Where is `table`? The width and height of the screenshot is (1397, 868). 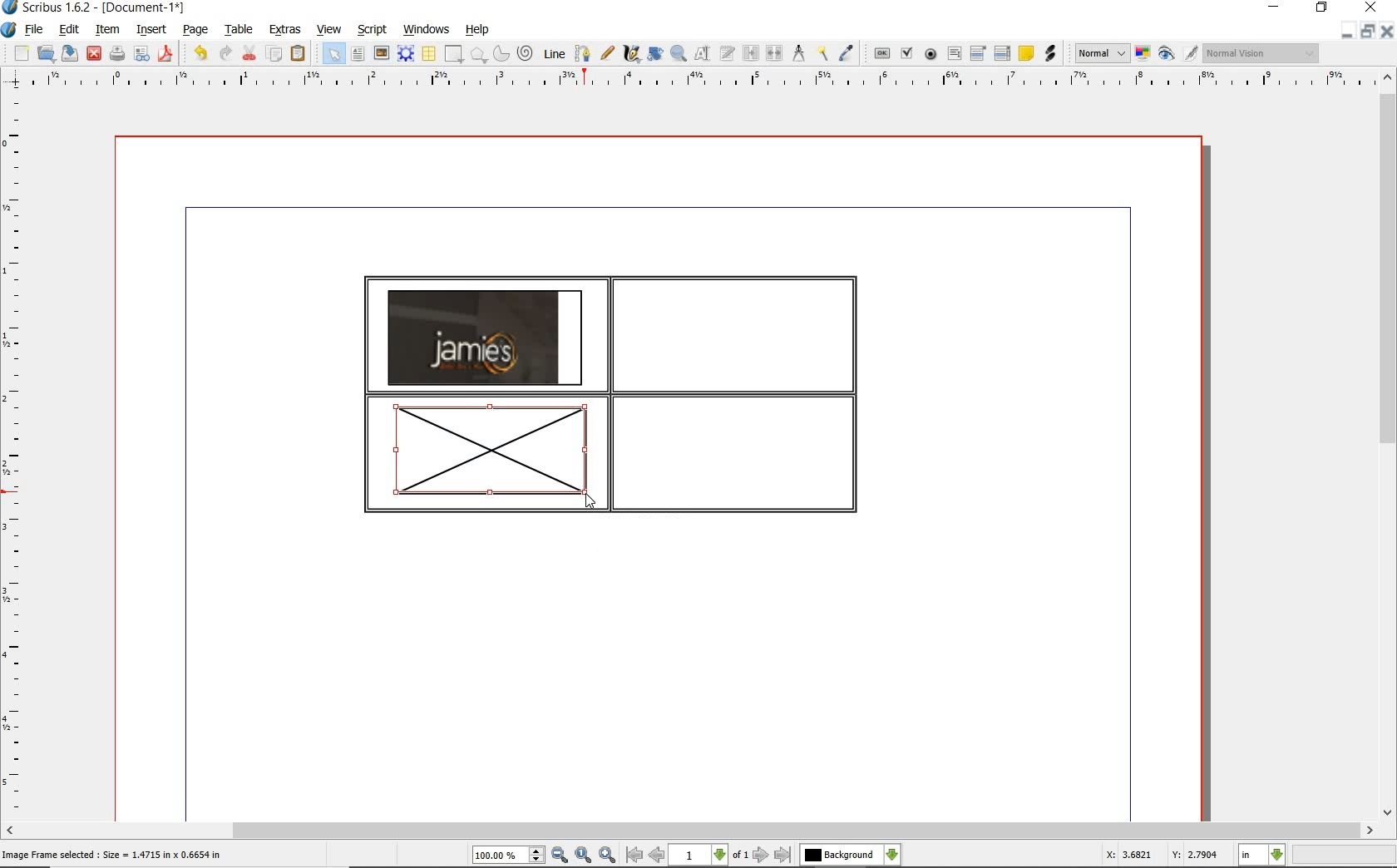 table is located at coordinates (240, 31).